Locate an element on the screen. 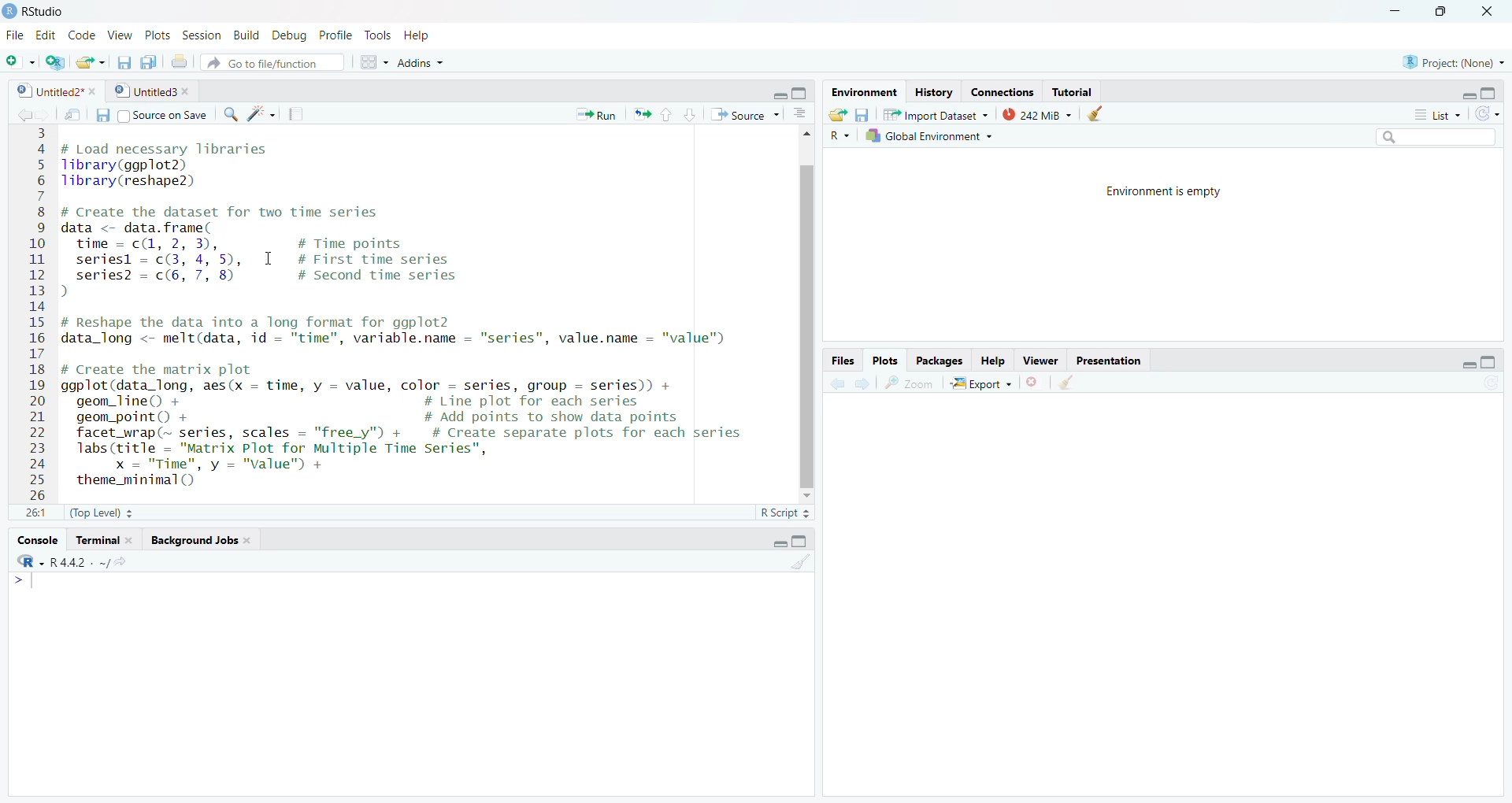 The image size is (1512, 803). re -run previoud code is located at coordinates (642, 113).